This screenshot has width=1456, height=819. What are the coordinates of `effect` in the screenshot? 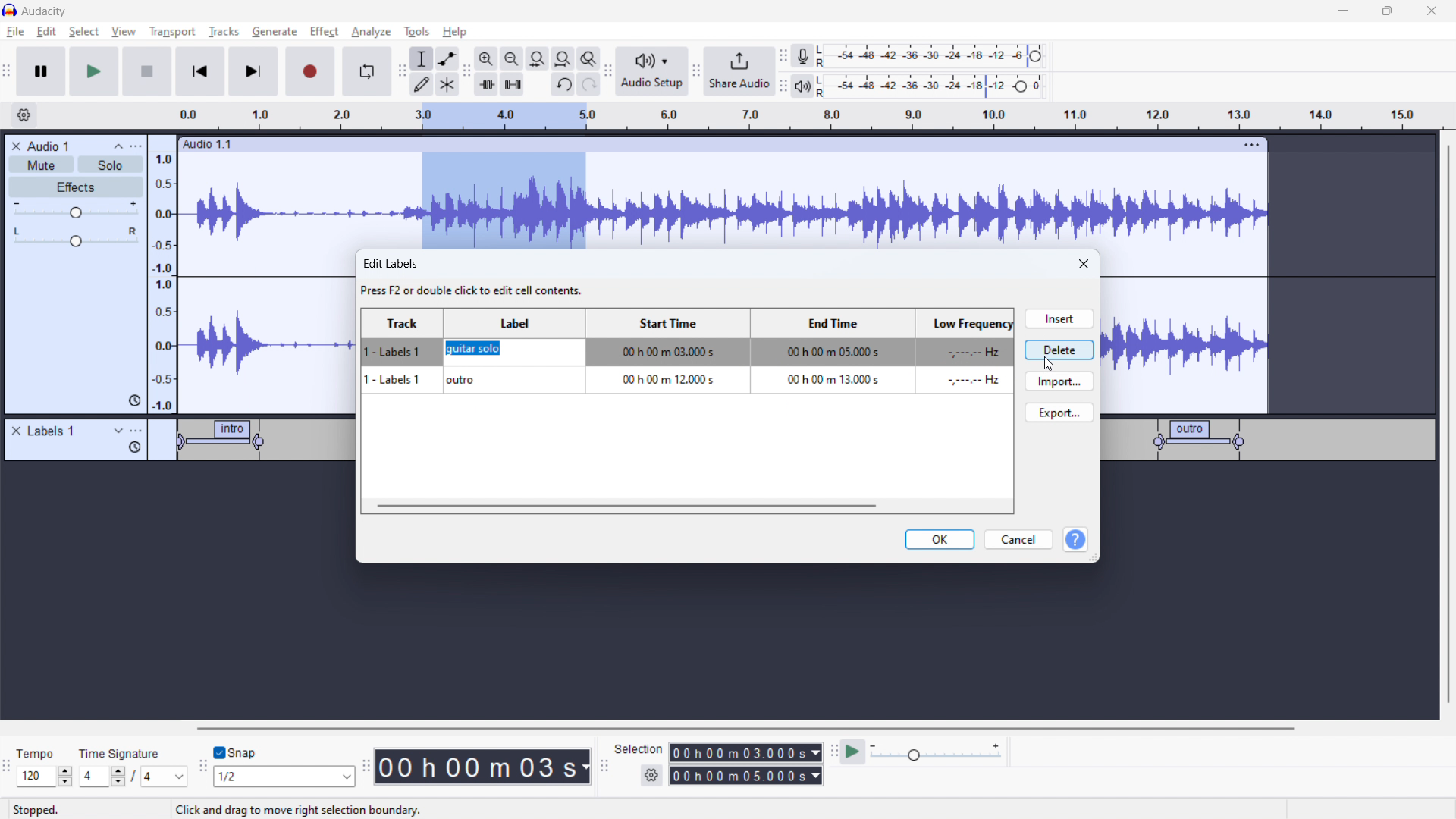 It's located at (325, 32).